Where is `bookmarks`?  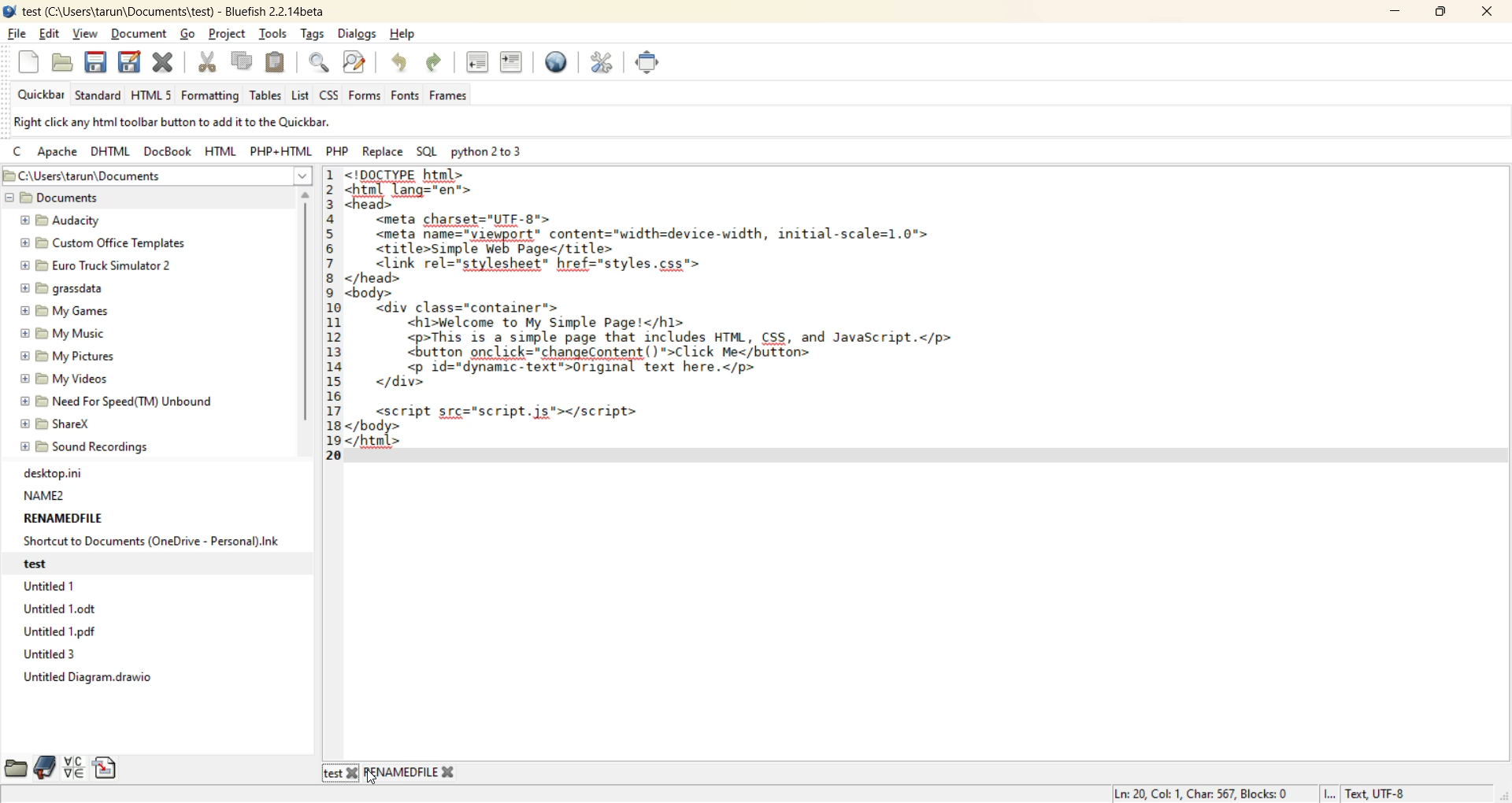 bookmarks is located at coordinates (43, 771).